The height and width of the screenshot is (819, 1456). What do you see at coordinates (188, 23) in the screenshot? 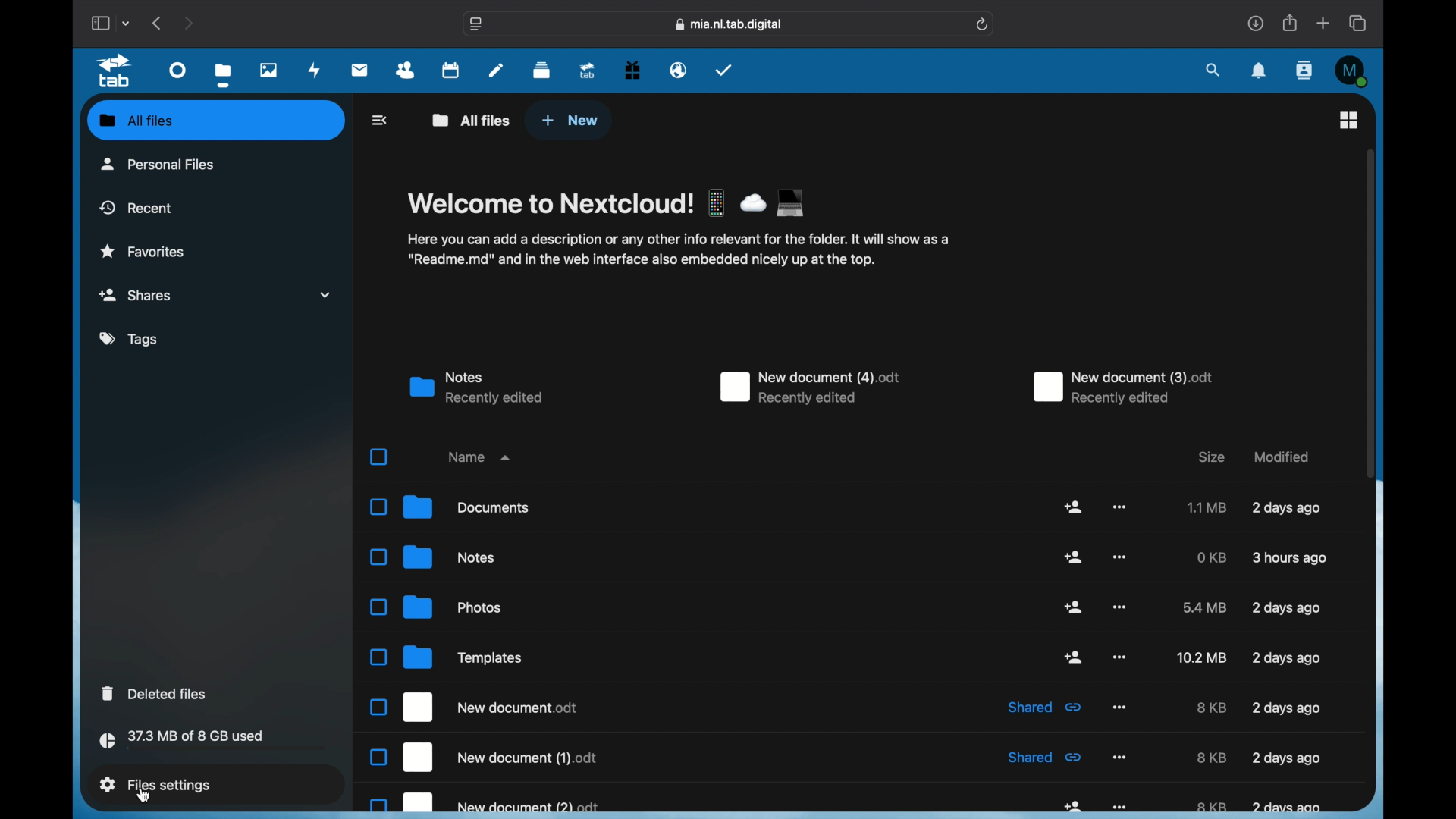
I see `next` at bounding box center [188, 23].